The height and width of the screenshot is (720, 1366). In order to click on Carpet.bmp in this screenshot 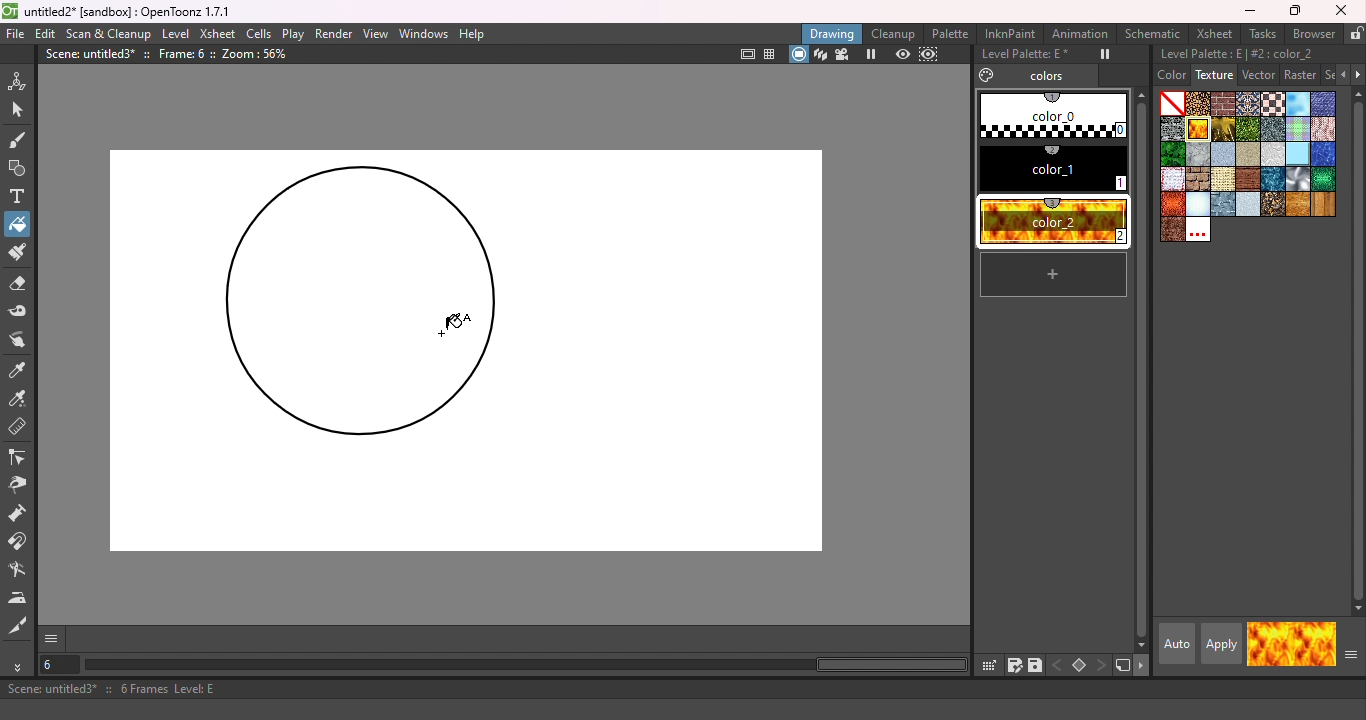, I will do `click(1249, 104)`.